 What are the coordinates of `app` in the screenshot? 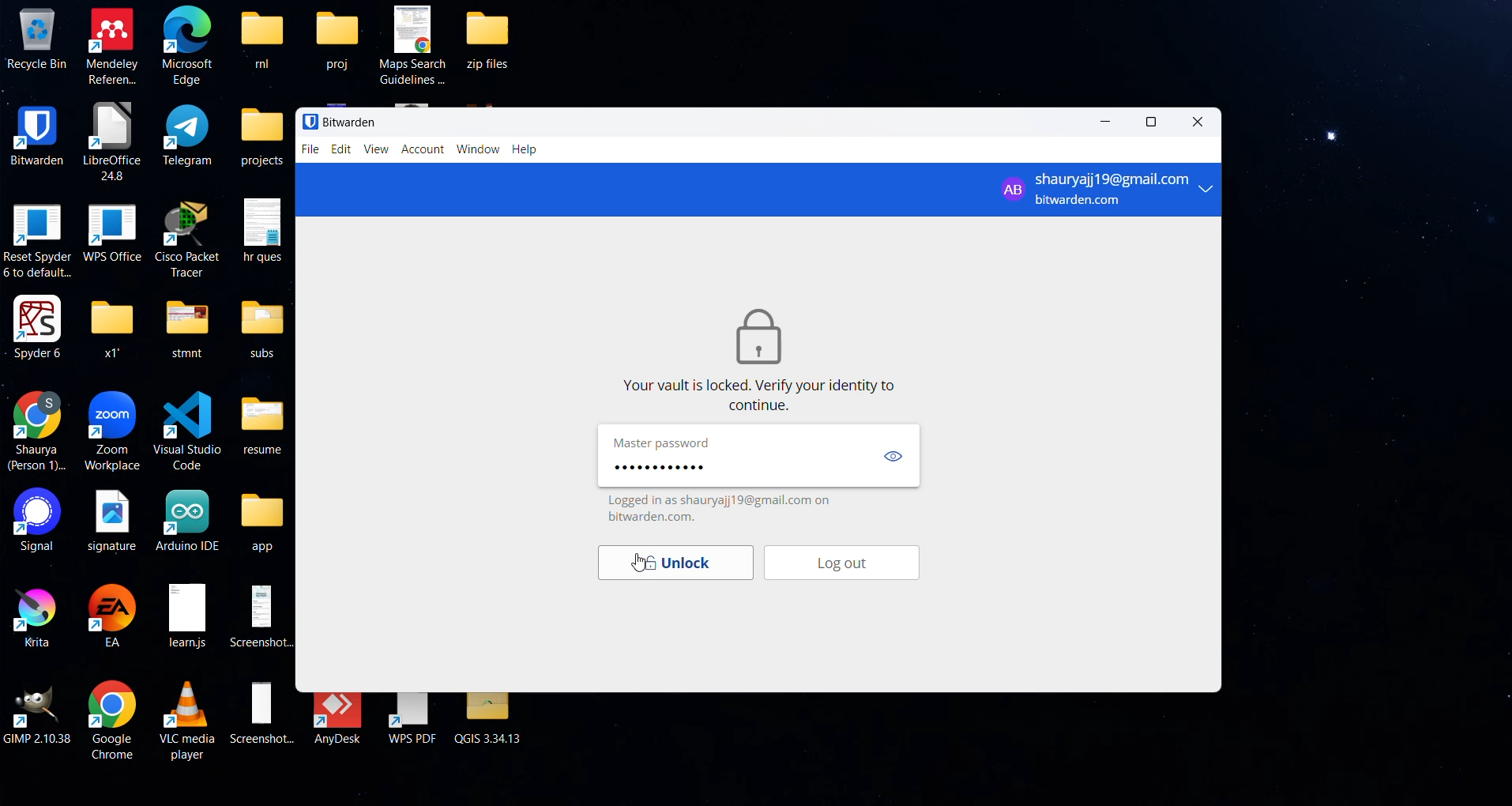 It's located at (264, 523).